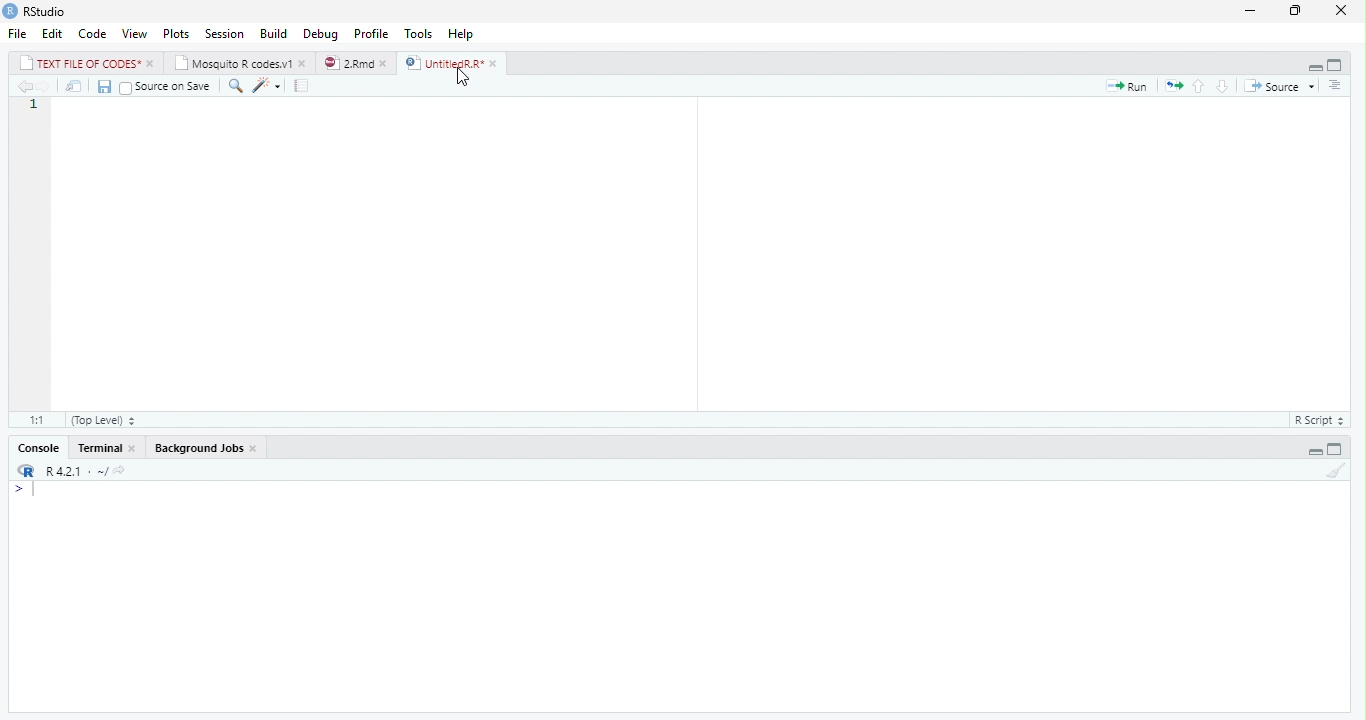 The width and height of the screenshot is (1366, 720). I want to click on Code, so click(93, 34).